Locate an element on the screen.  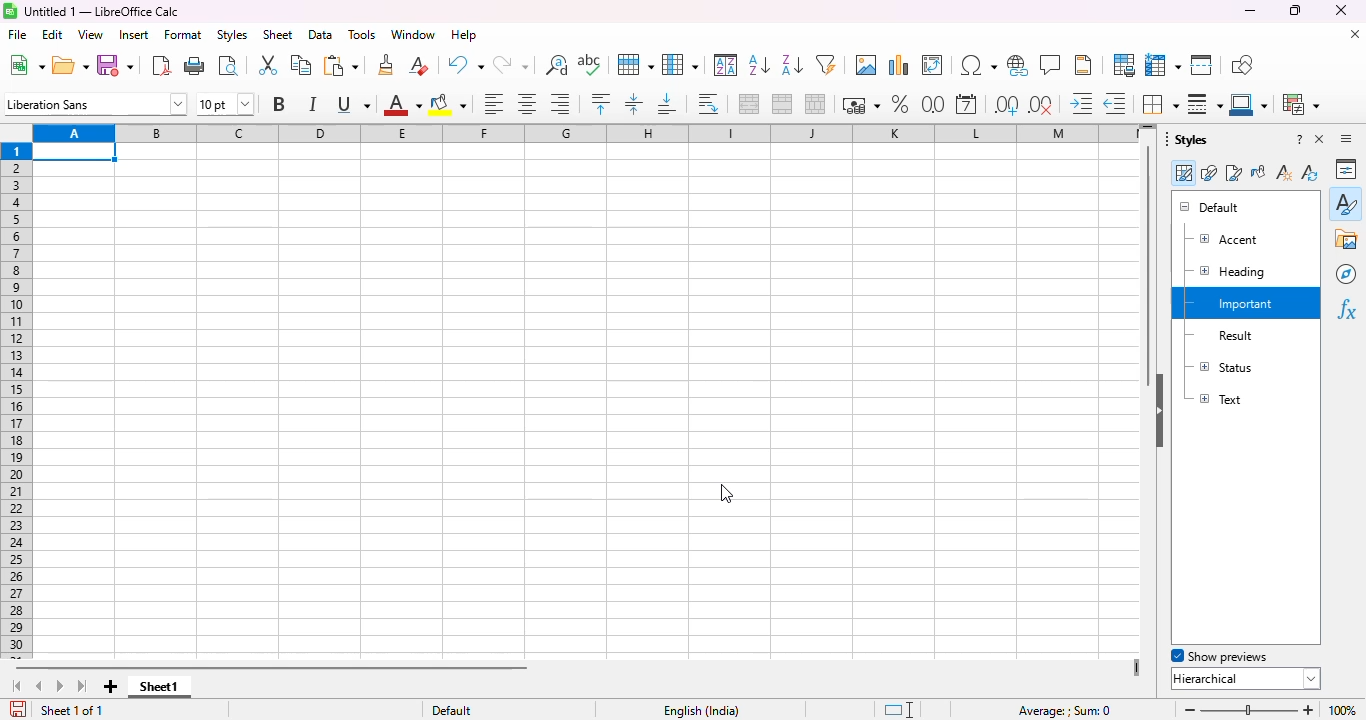
font name is located at coordinates (96, 104).